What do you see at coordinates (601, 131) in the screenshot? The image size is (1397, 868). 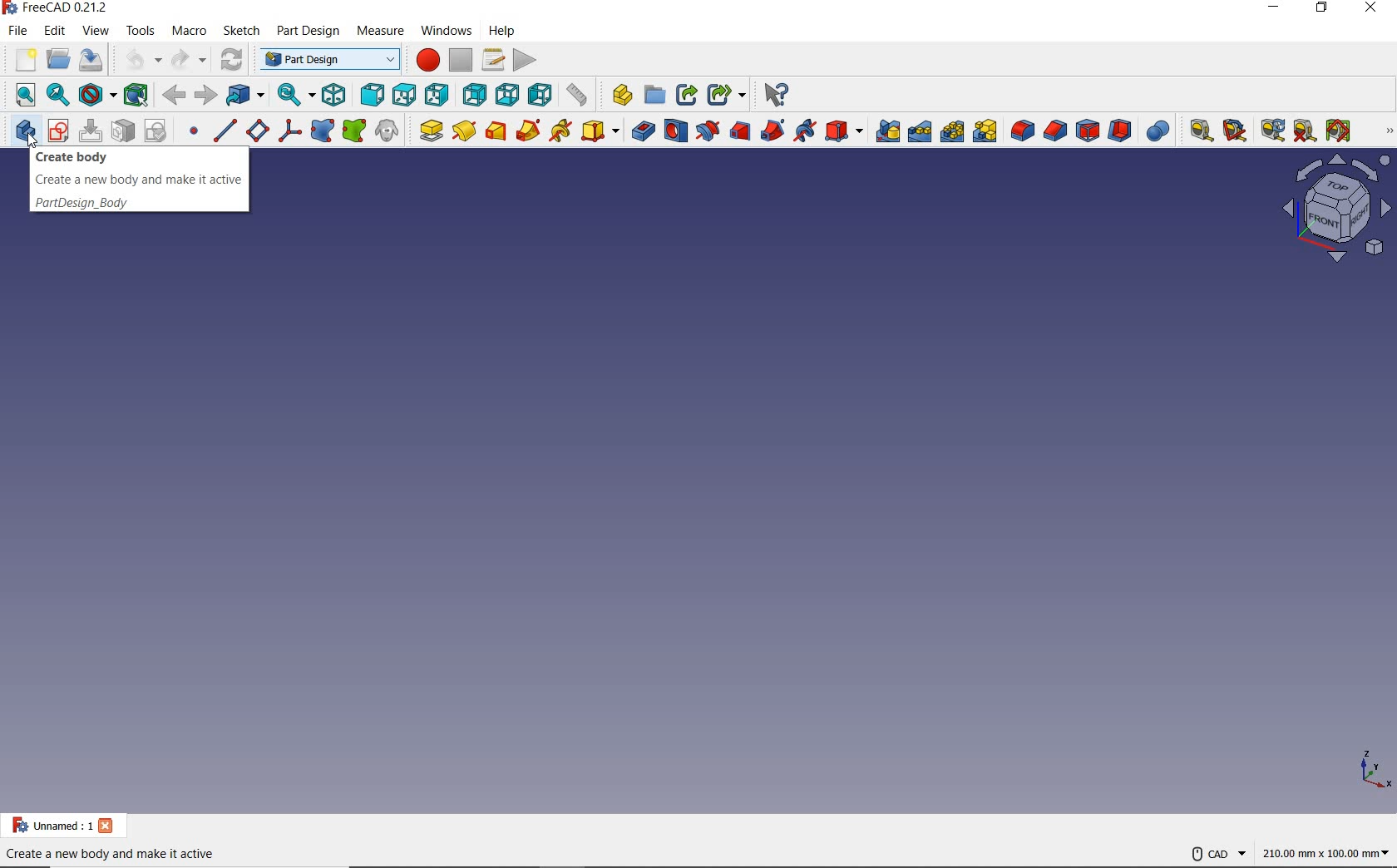 I see `CREATE AN ADDITIVE PRIMITIVE` at bounding box center [601, 131].